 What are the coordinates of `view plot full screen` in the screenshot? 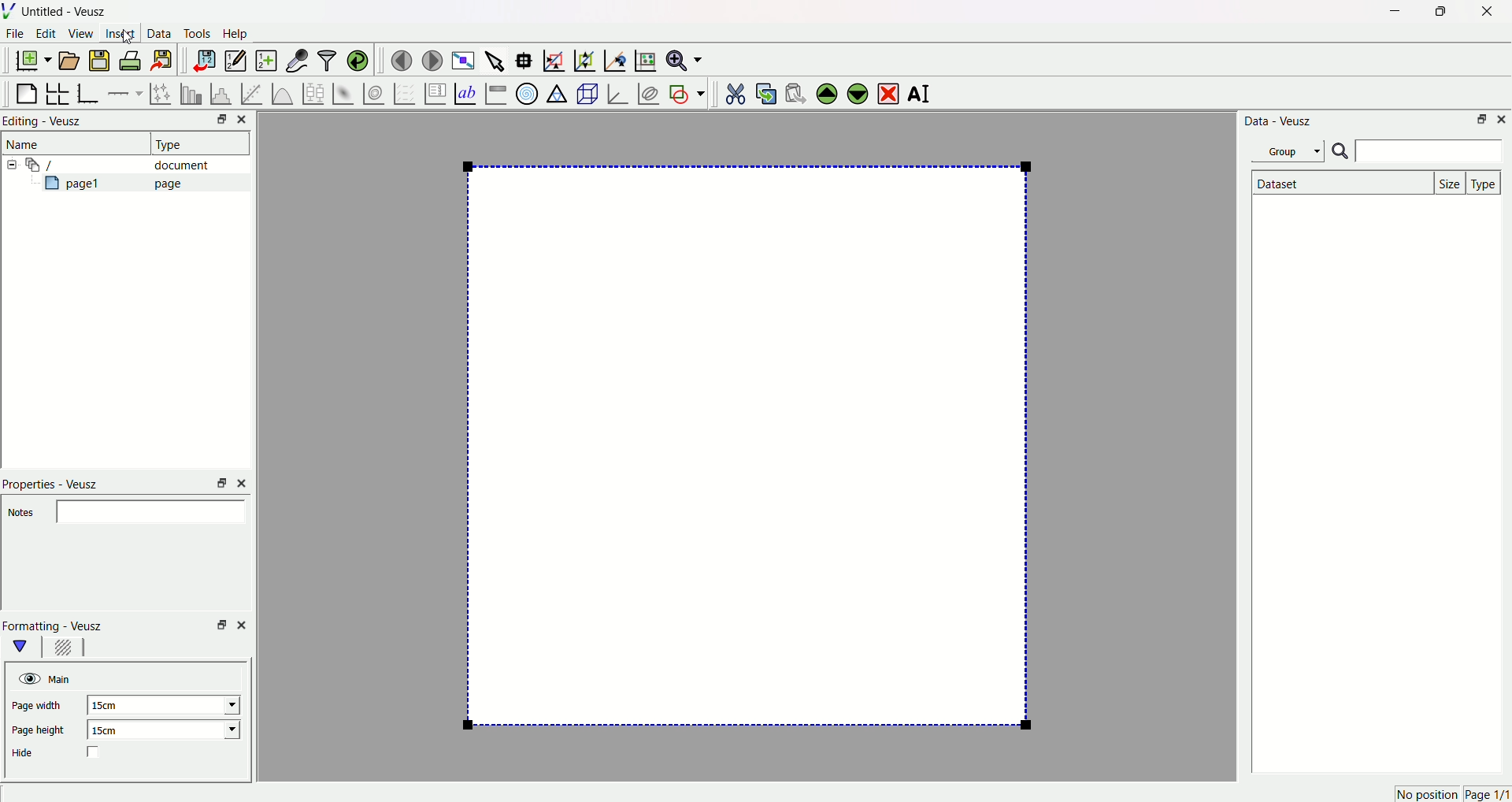 It's located at (464, 58).